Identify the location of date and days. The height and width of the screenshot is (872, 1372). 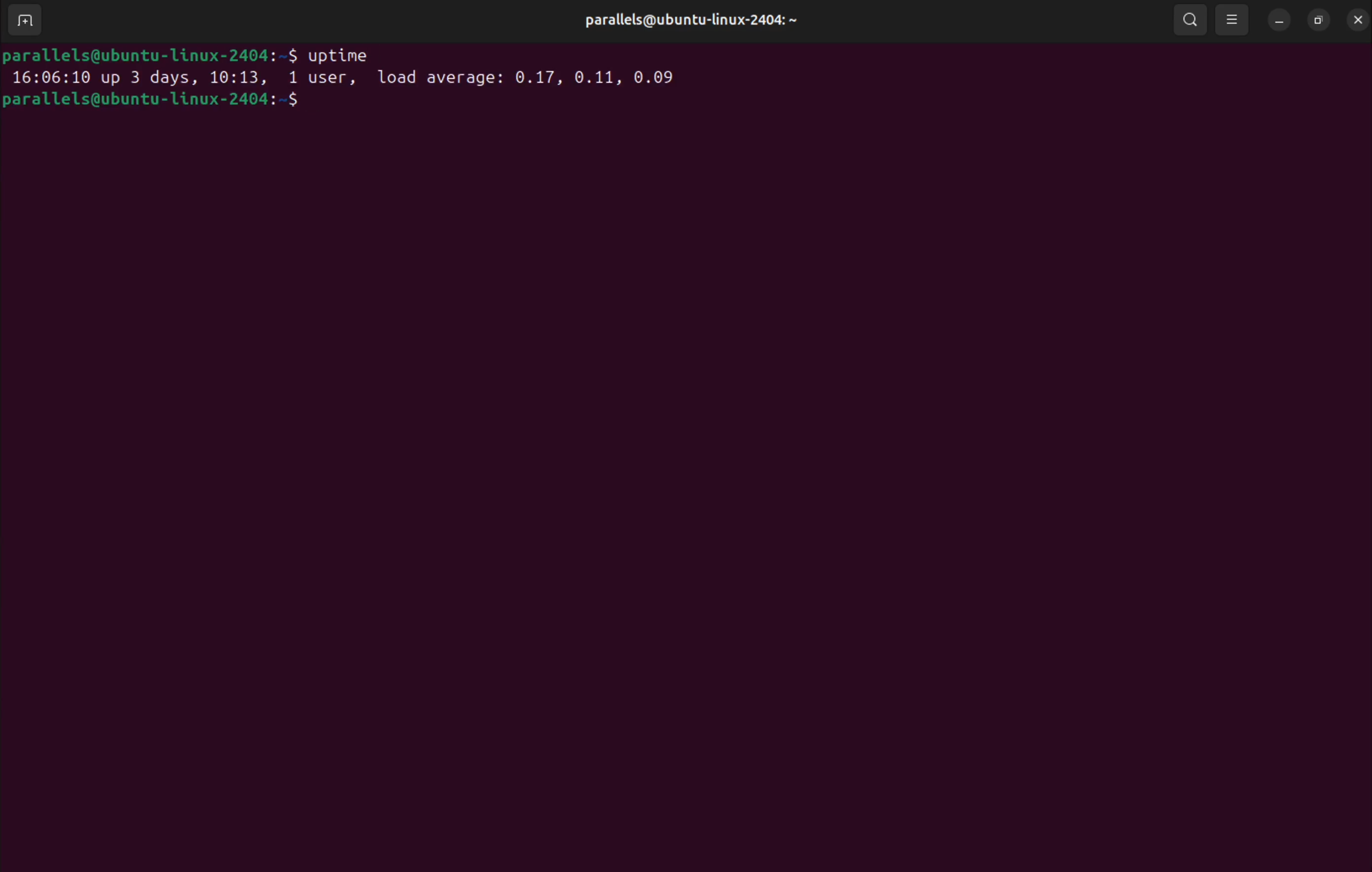
(104, 77).